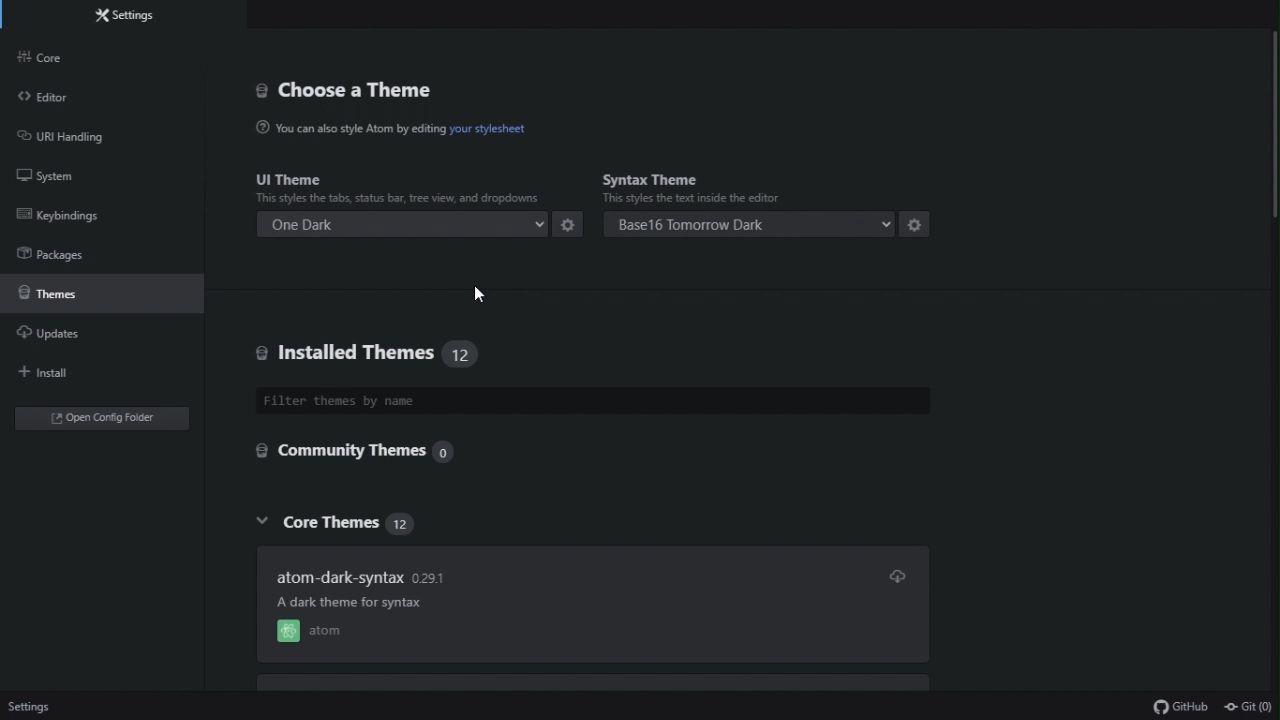 This screenshot has width=1280, height=720. Describe the element at coordinates (80, 251) in the screenshot. I see `Packages` at that location.